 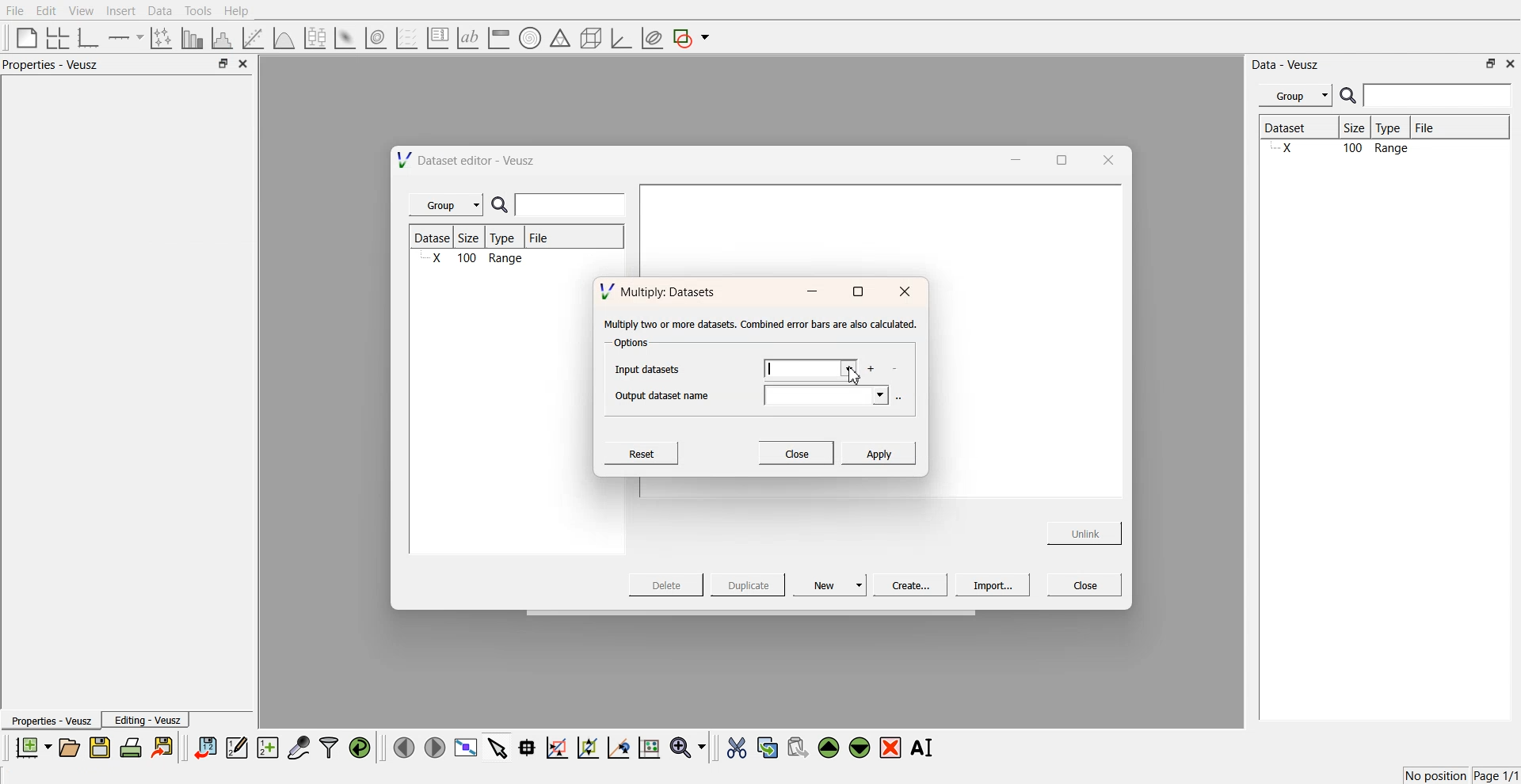 I want to click on new documents, so click(x=32, y=747).